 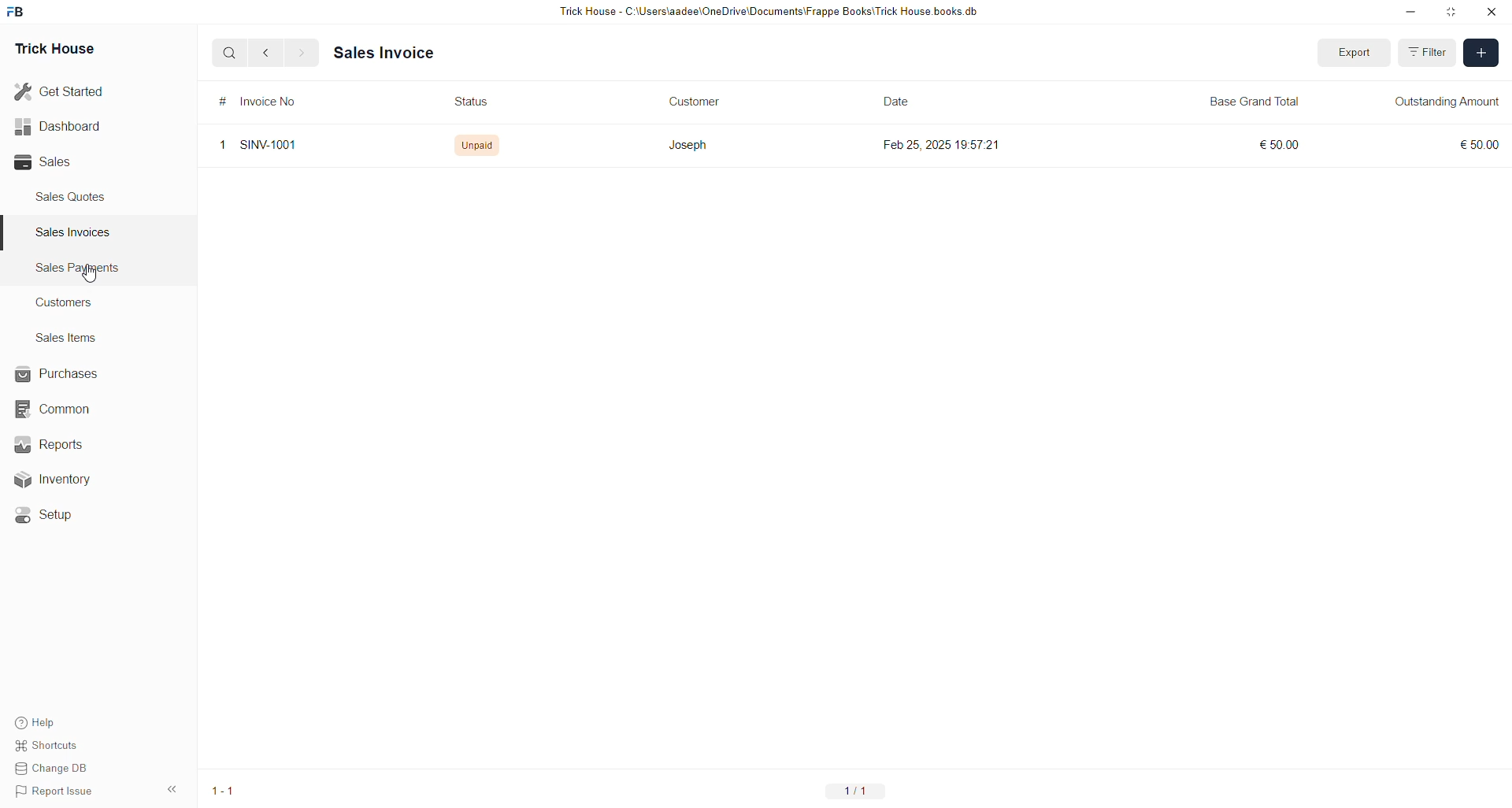 I want to click on Close, so click(x=1491, y=13).